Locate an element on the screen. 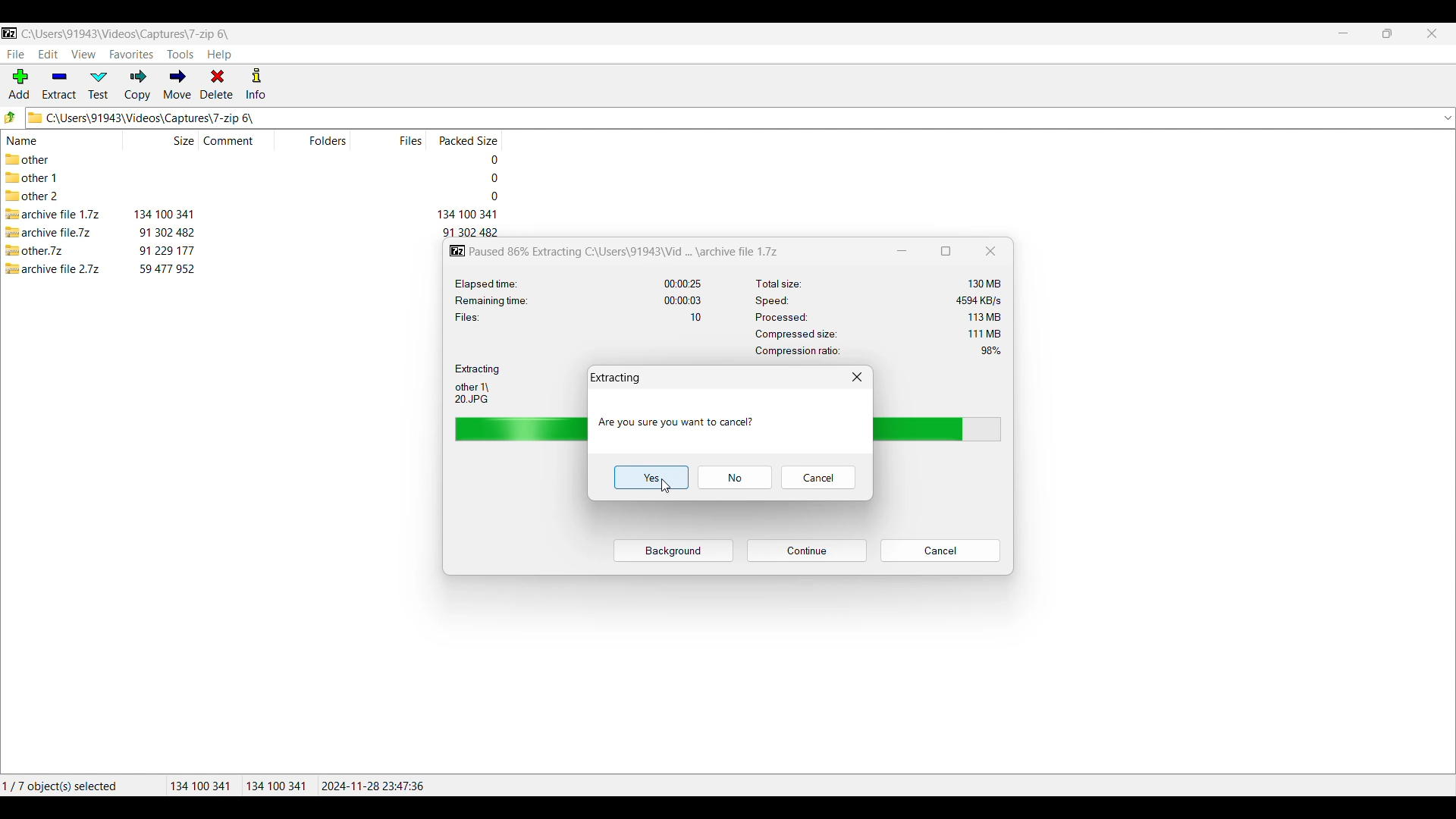 Image resolution: width=1456 pixels, height=819 pixels. Total size: 130 MB is located at coordinates (881, 282).